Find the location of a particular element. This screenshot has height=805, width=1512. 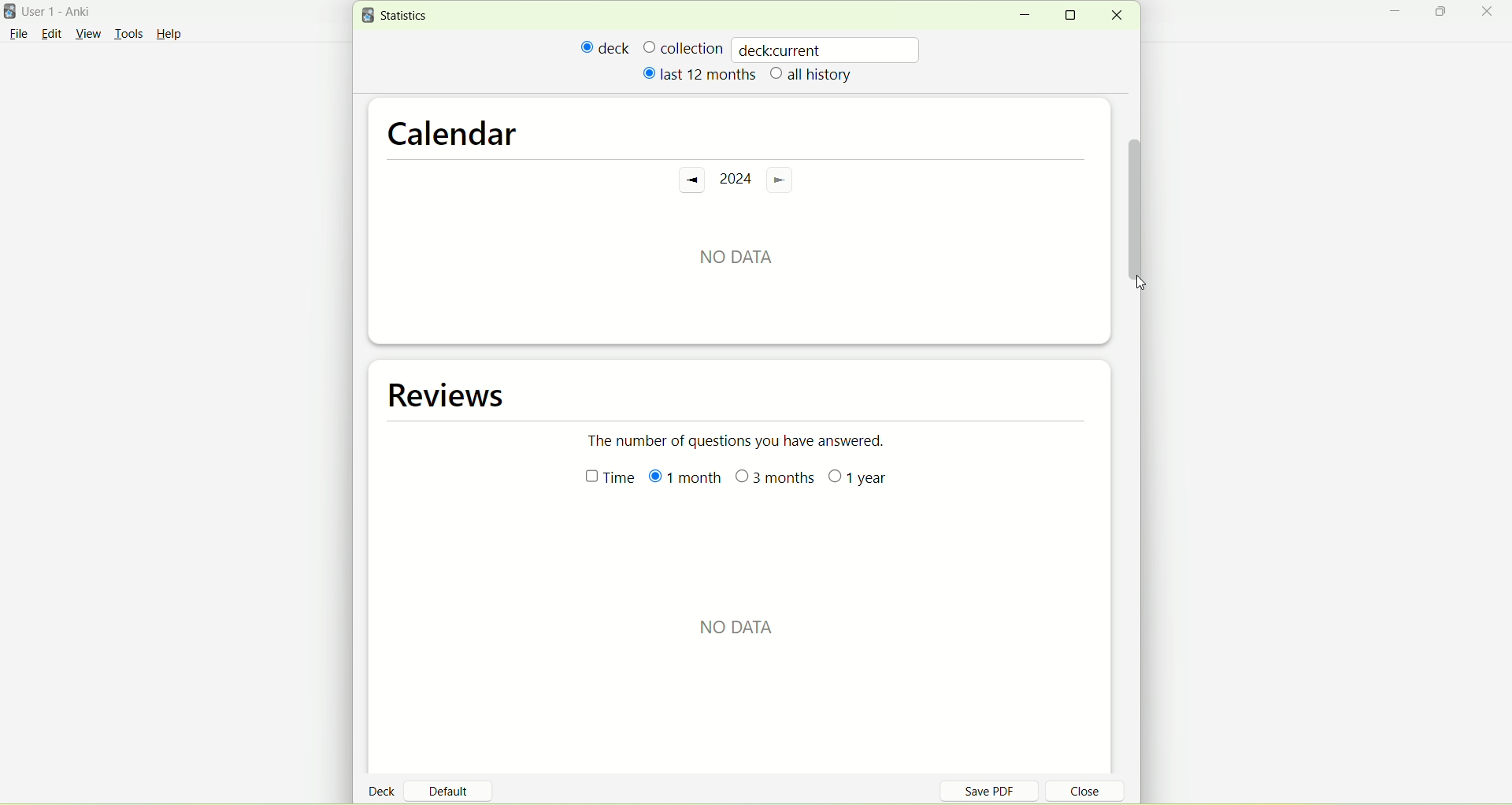

 month is located at coordinates (683, 479).